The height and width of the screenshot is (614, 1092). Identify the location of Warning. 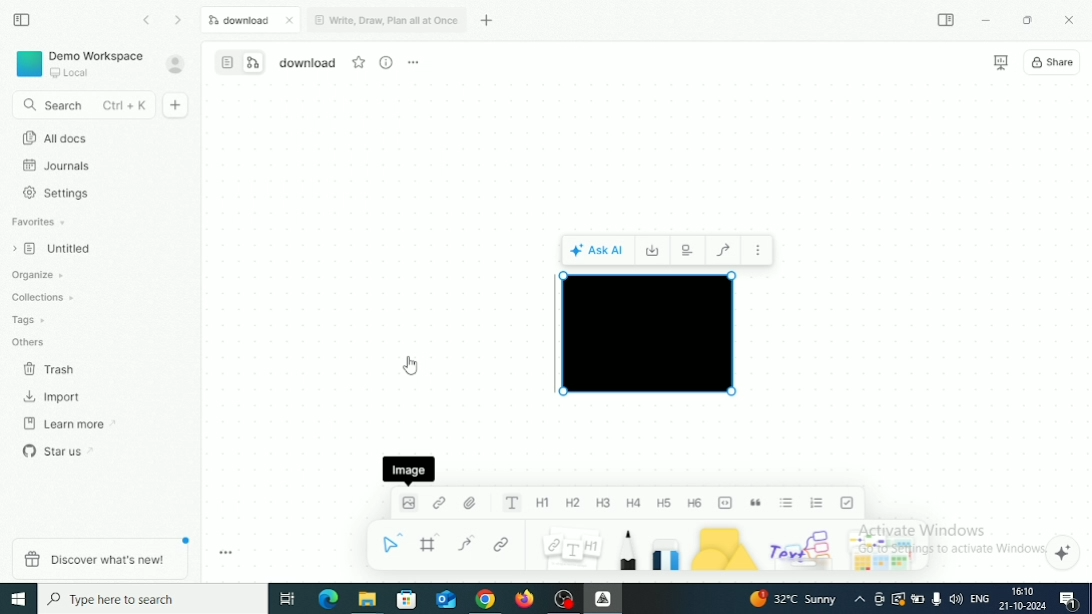
(898, 599).